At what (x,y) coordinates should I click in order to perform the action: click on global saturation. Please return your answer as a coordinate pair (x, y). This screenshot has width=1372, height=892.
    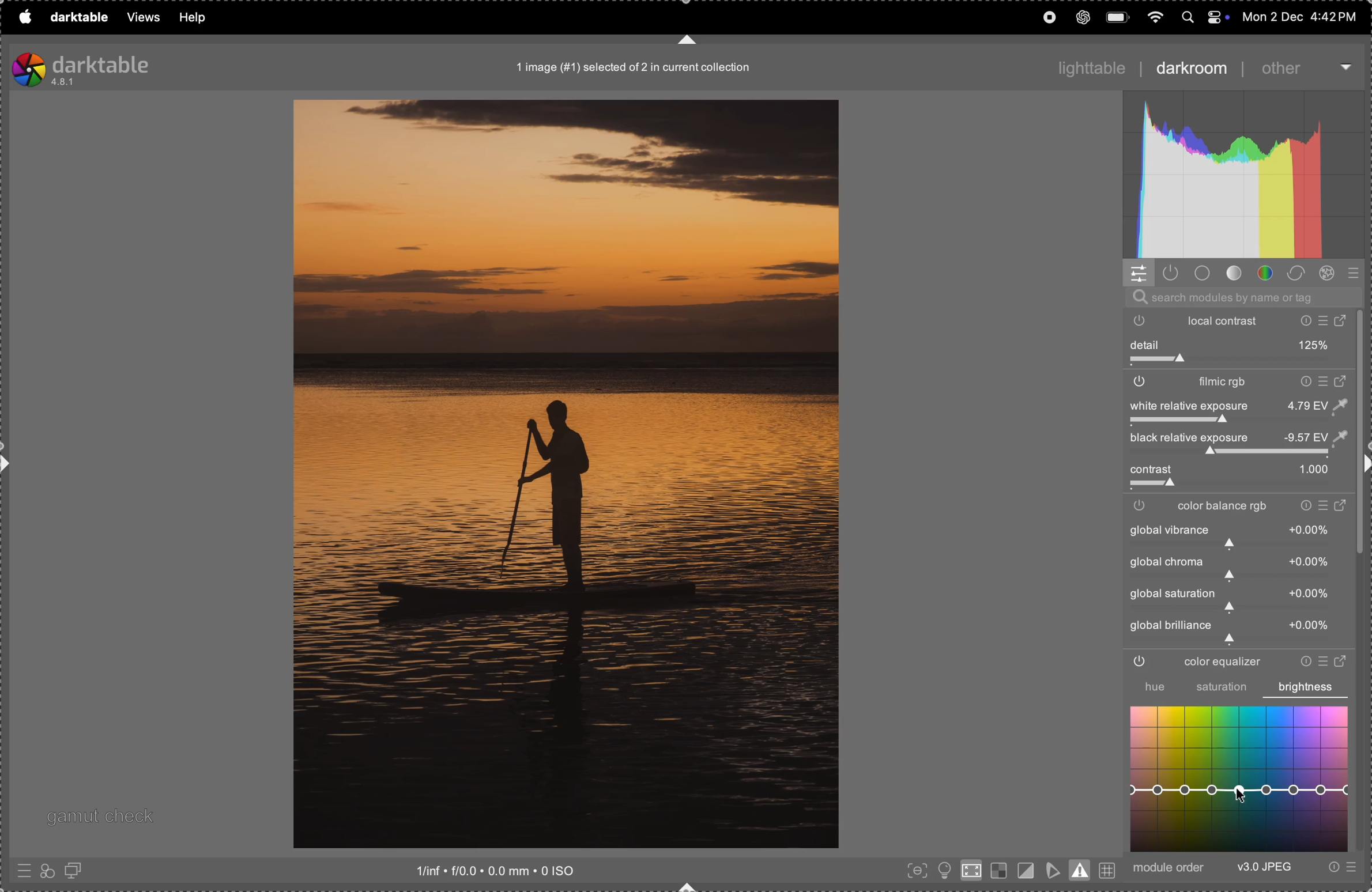
    Looking at the image, I should click on (1235, 599).